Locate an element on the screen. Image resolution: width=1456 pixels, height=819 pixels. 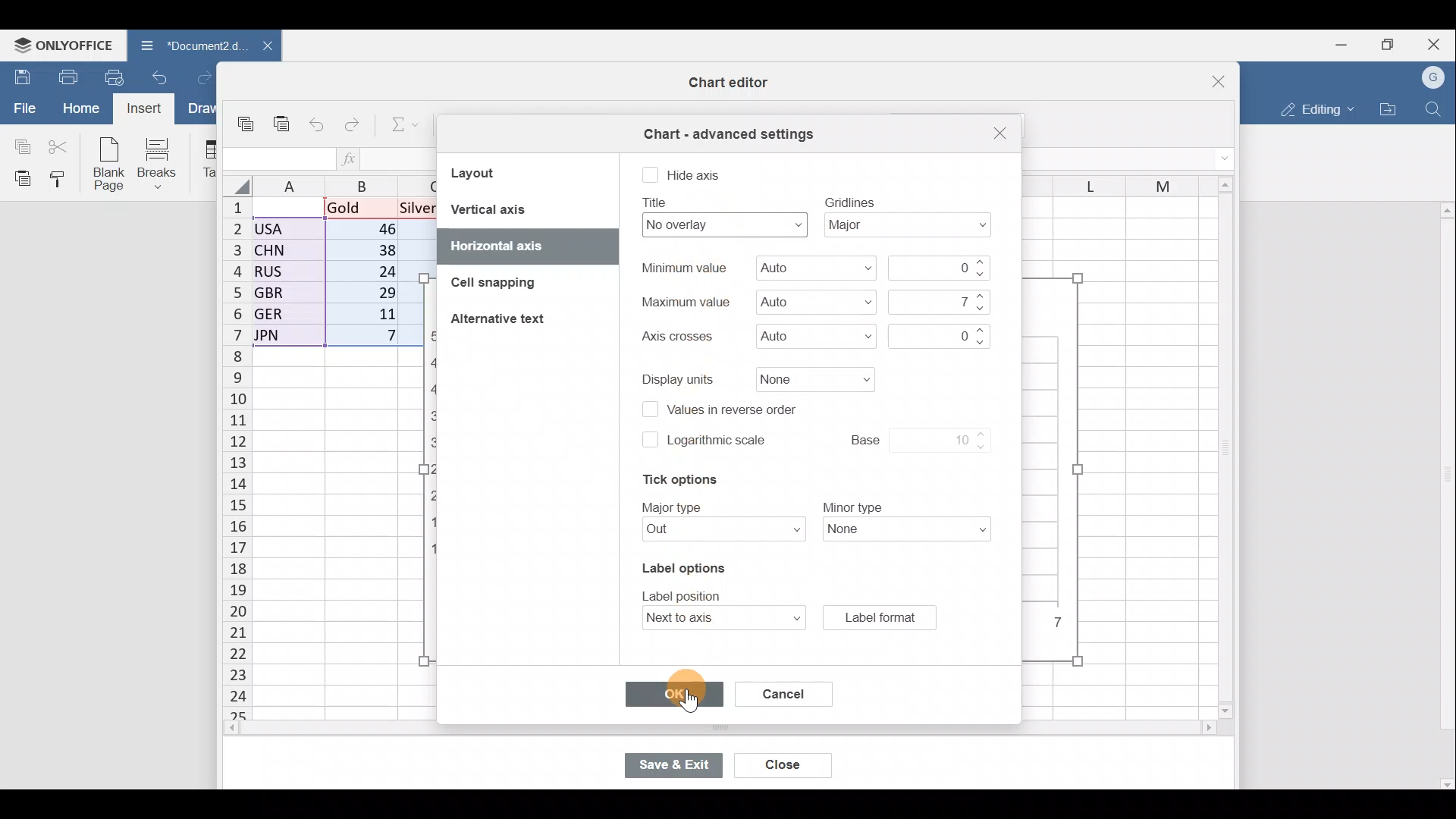
Cut is located at coordinates (61, 146).